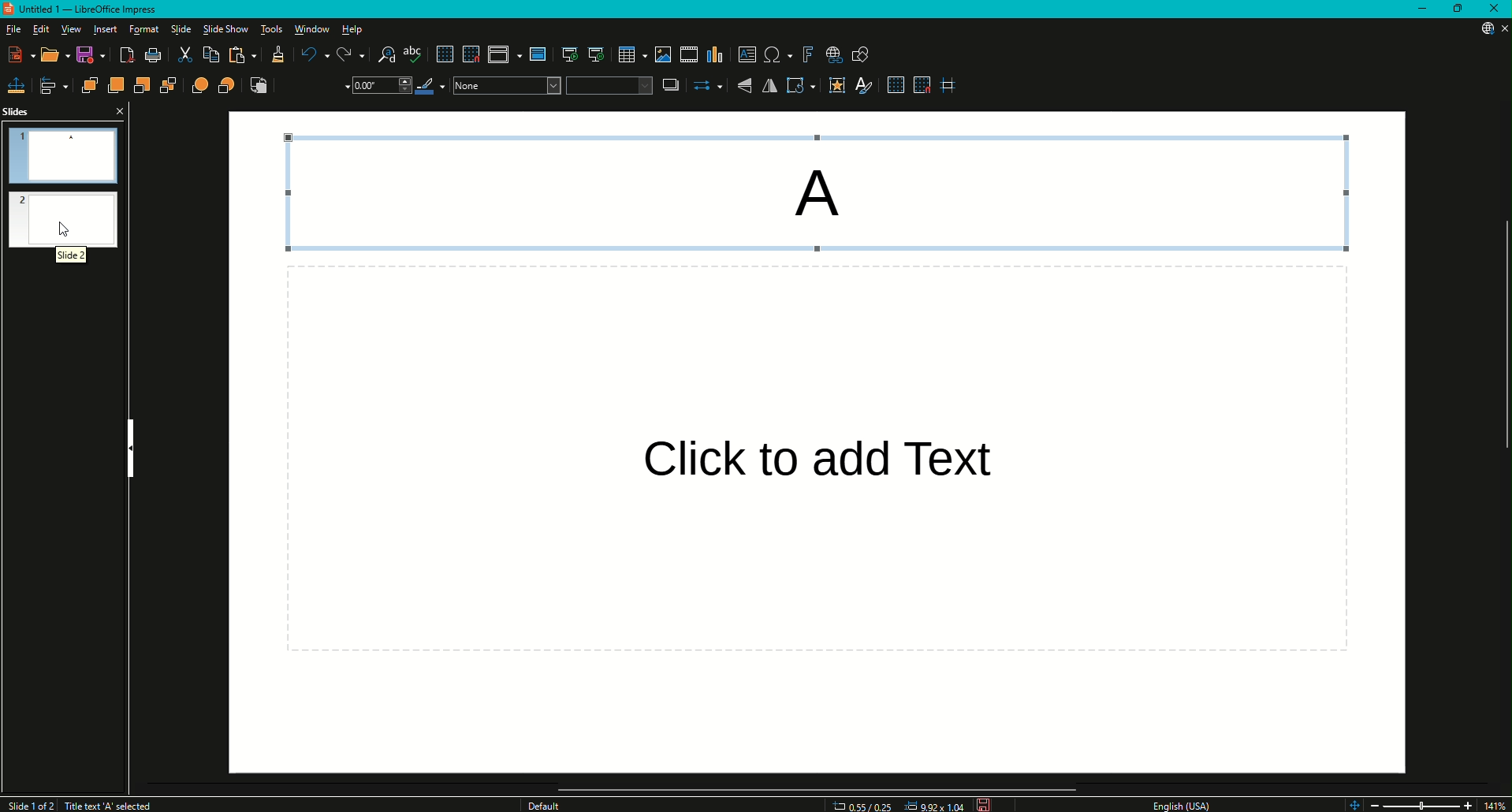 Image resolution: width=1512 pixels, height=812 pixels. I want to click on Send Backward, so click(142, 85).